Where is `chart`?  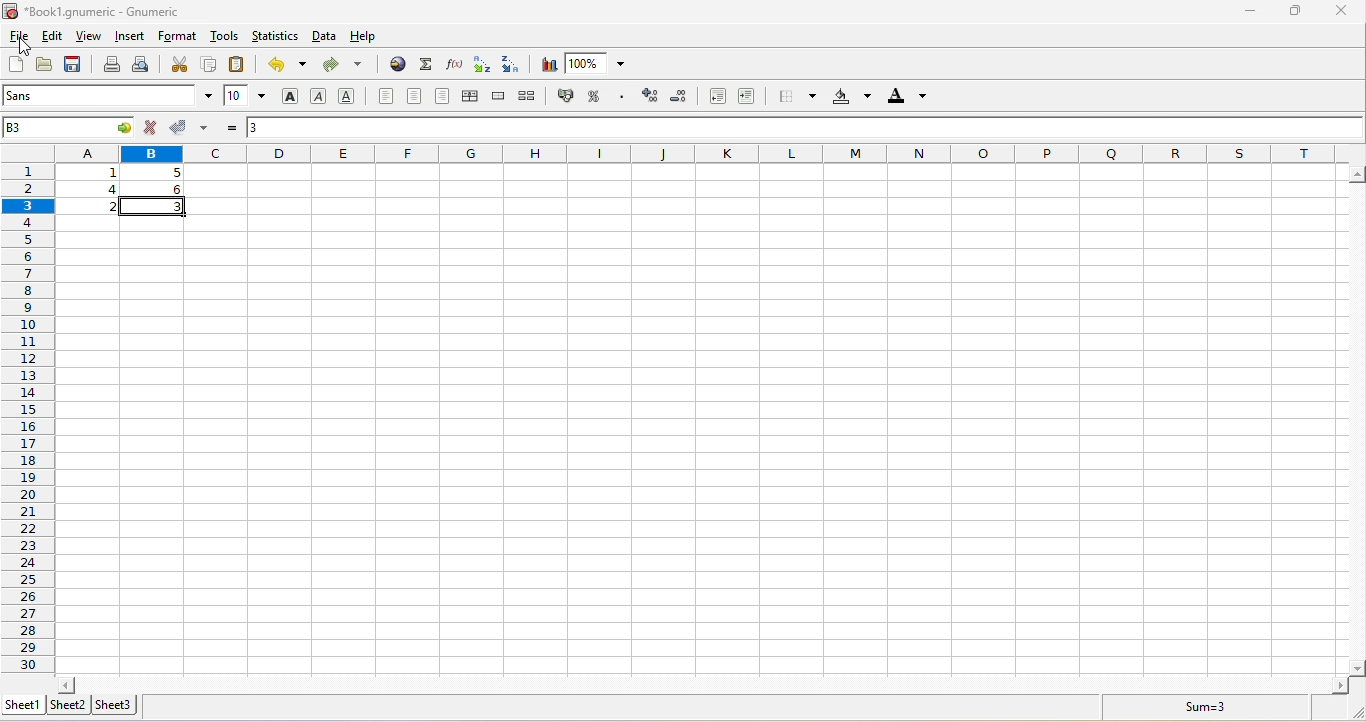 chart is located at coordinates (548, 66).